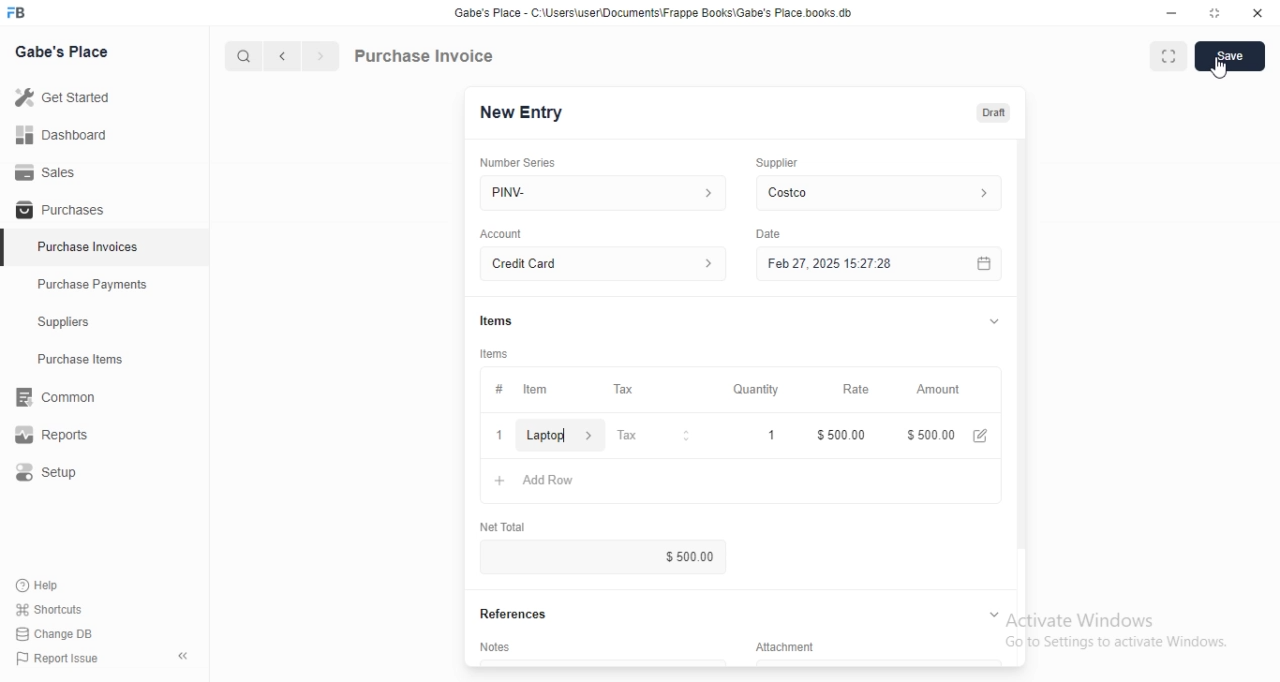 This screenshot has width=1280, height=682. Describe the element at coordinates (777, 163) in the screenshot. I see `Supplier` at that location.